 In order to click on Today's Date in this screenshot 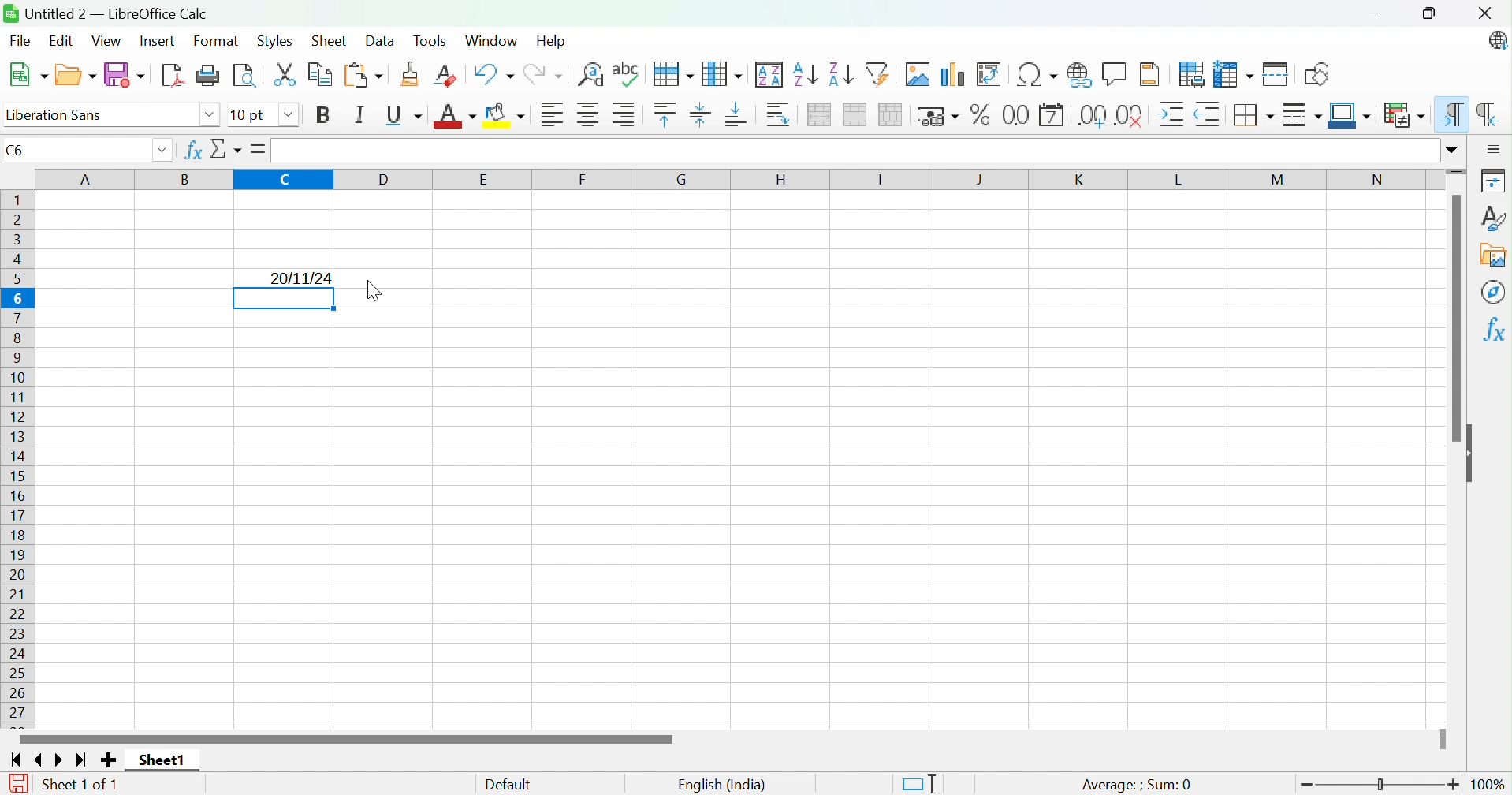, I will do `click(302, 278)`.